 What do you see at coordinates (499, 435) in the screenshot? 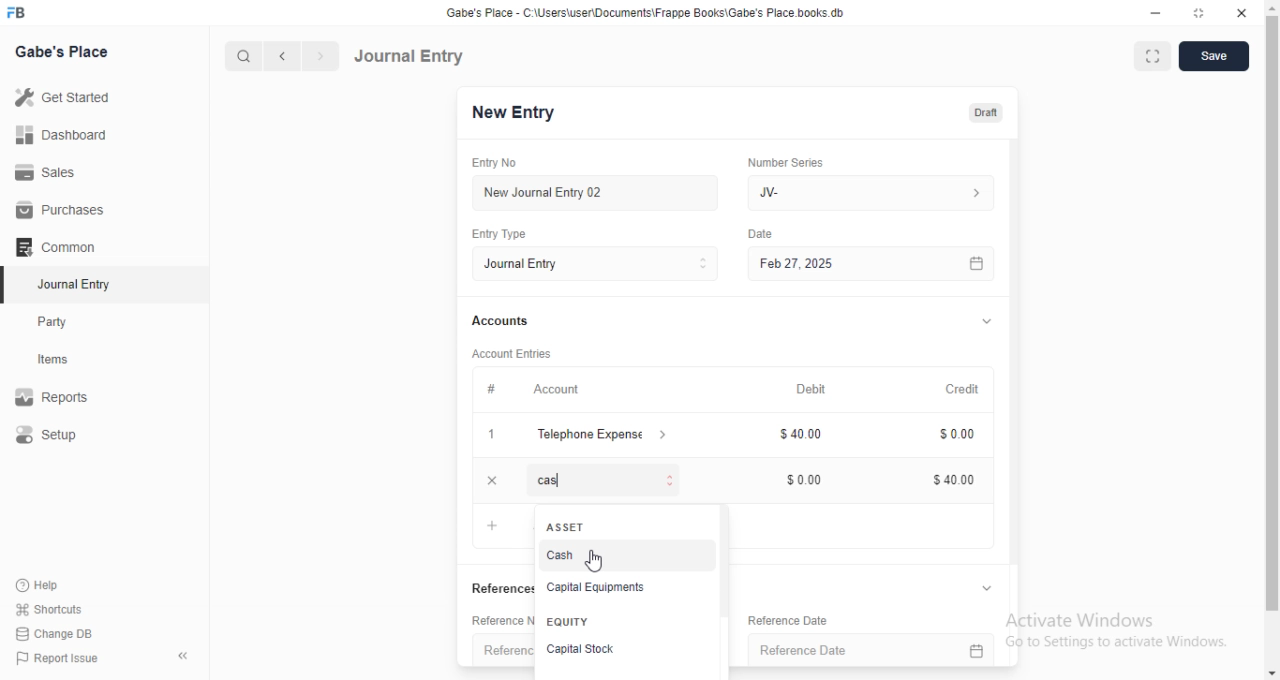
I see `1` at bounding box center [499, 435].